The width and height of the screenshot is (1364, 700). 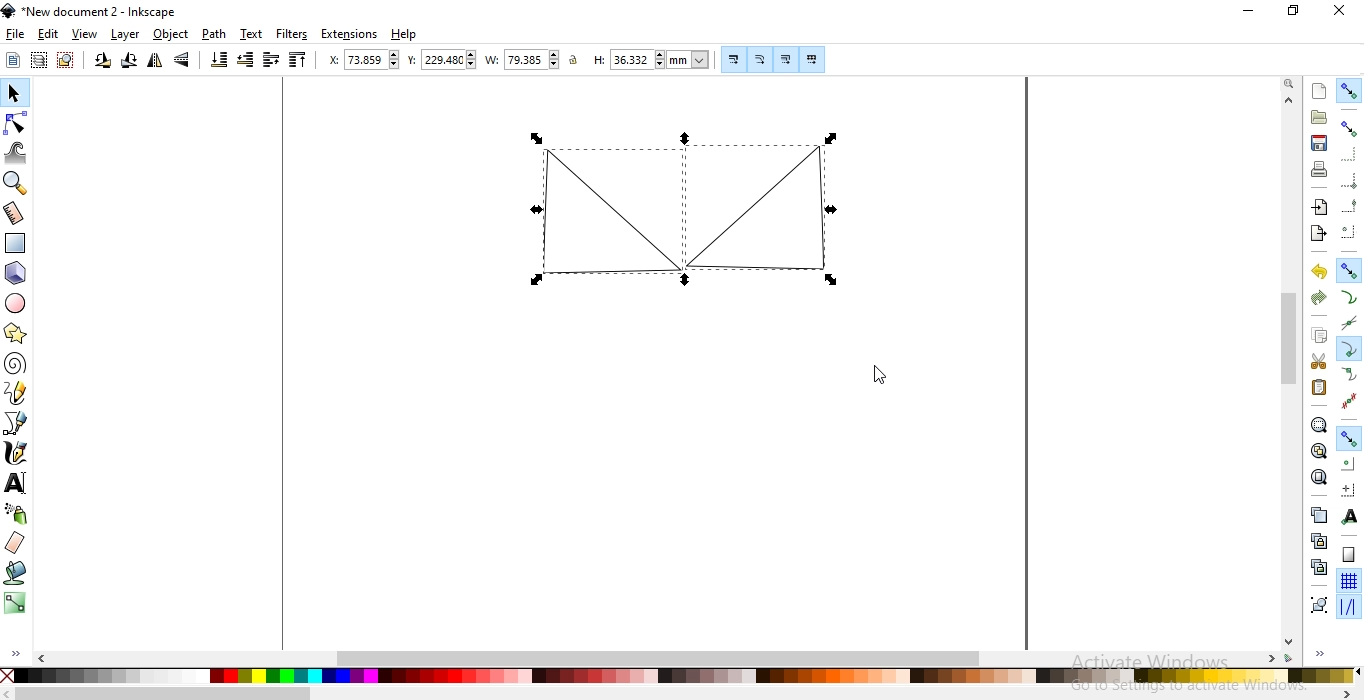 I want to click on edit, so click(x=49, y=34).